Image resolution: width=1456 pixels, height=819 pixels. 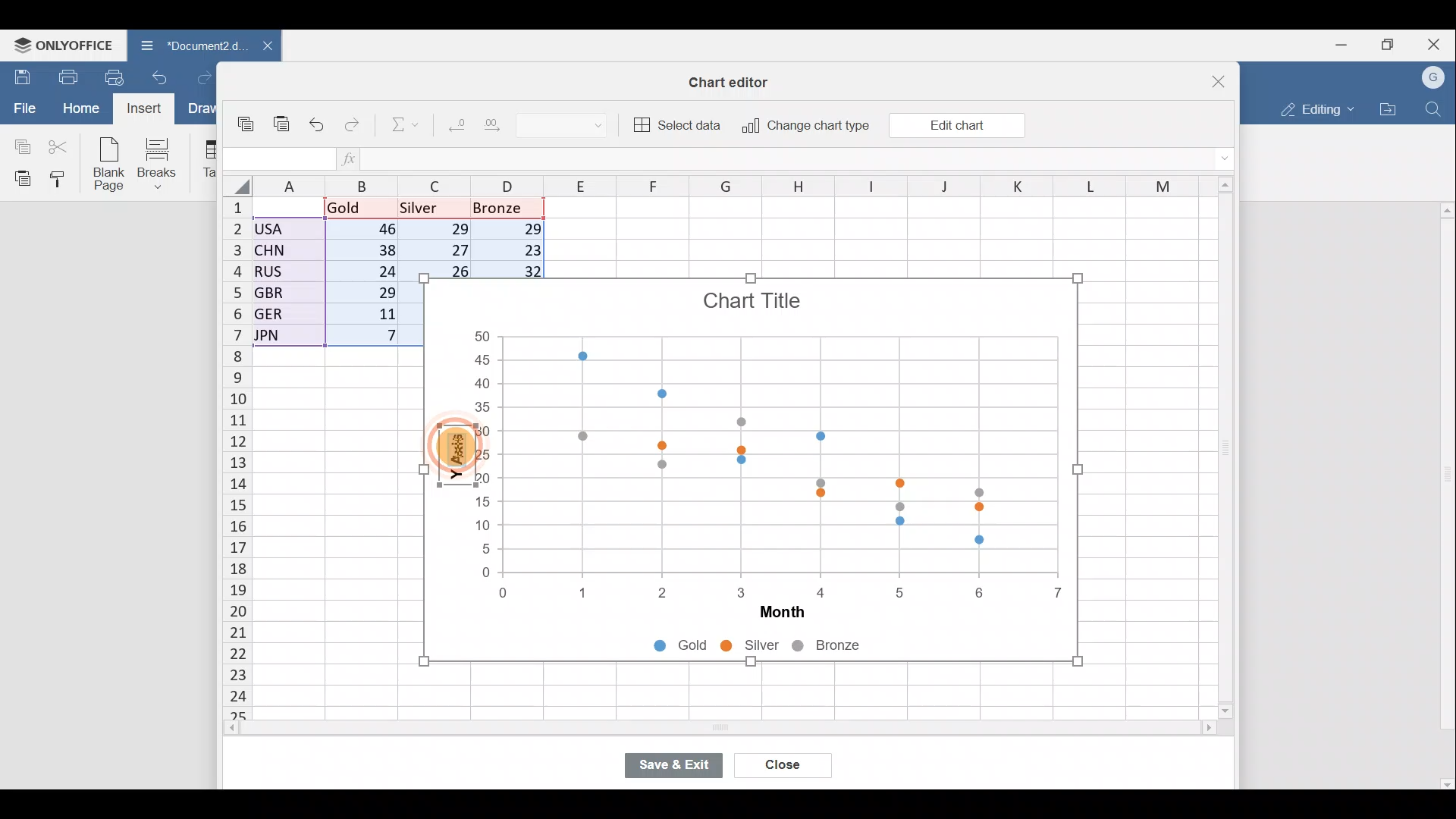 I want to click on Scroll bar, so click(x=1220, y=449).